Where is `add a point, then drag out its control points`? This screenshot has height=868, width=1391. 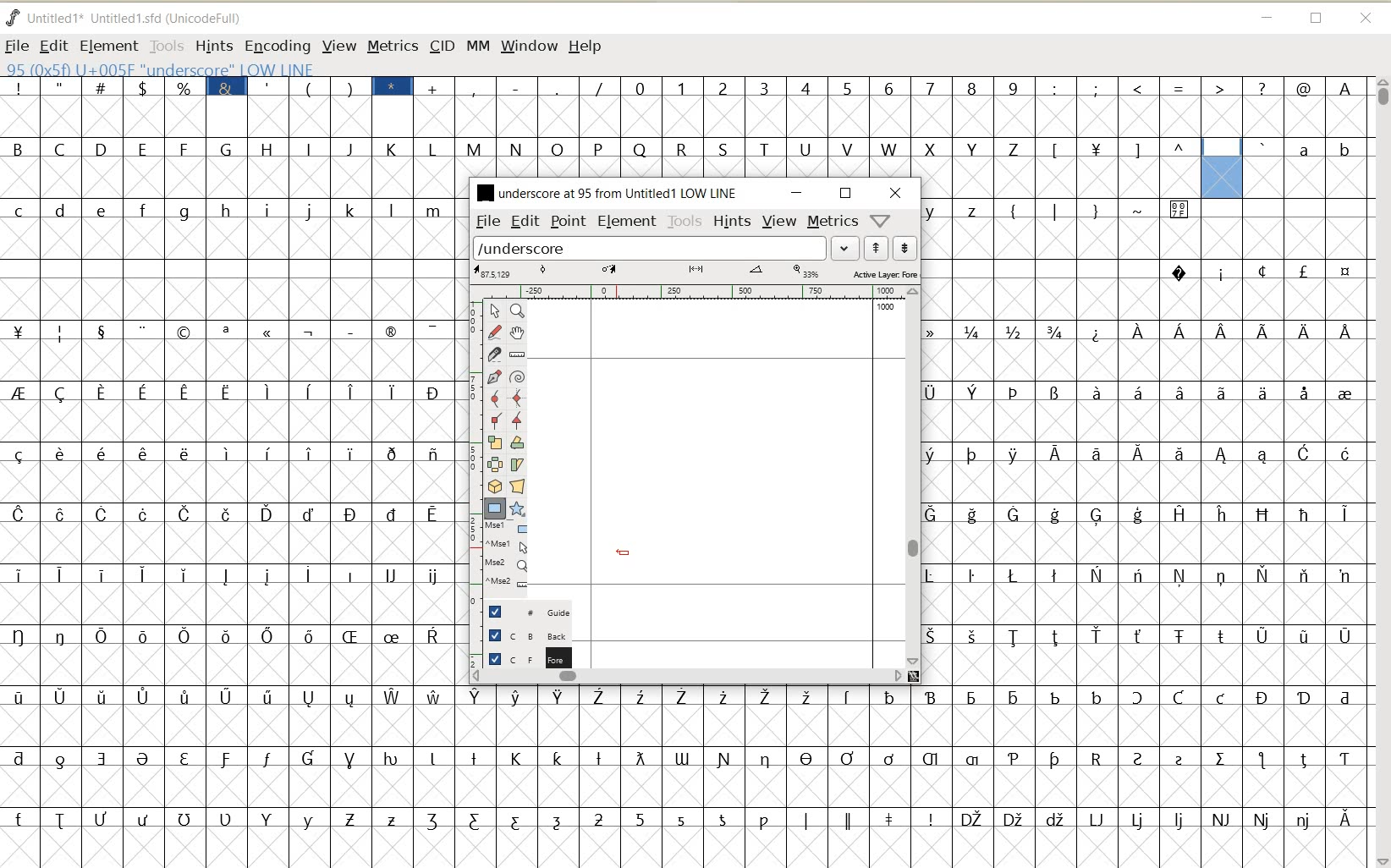 add a point, then drag out its control points is located at coordinates (495, 377).